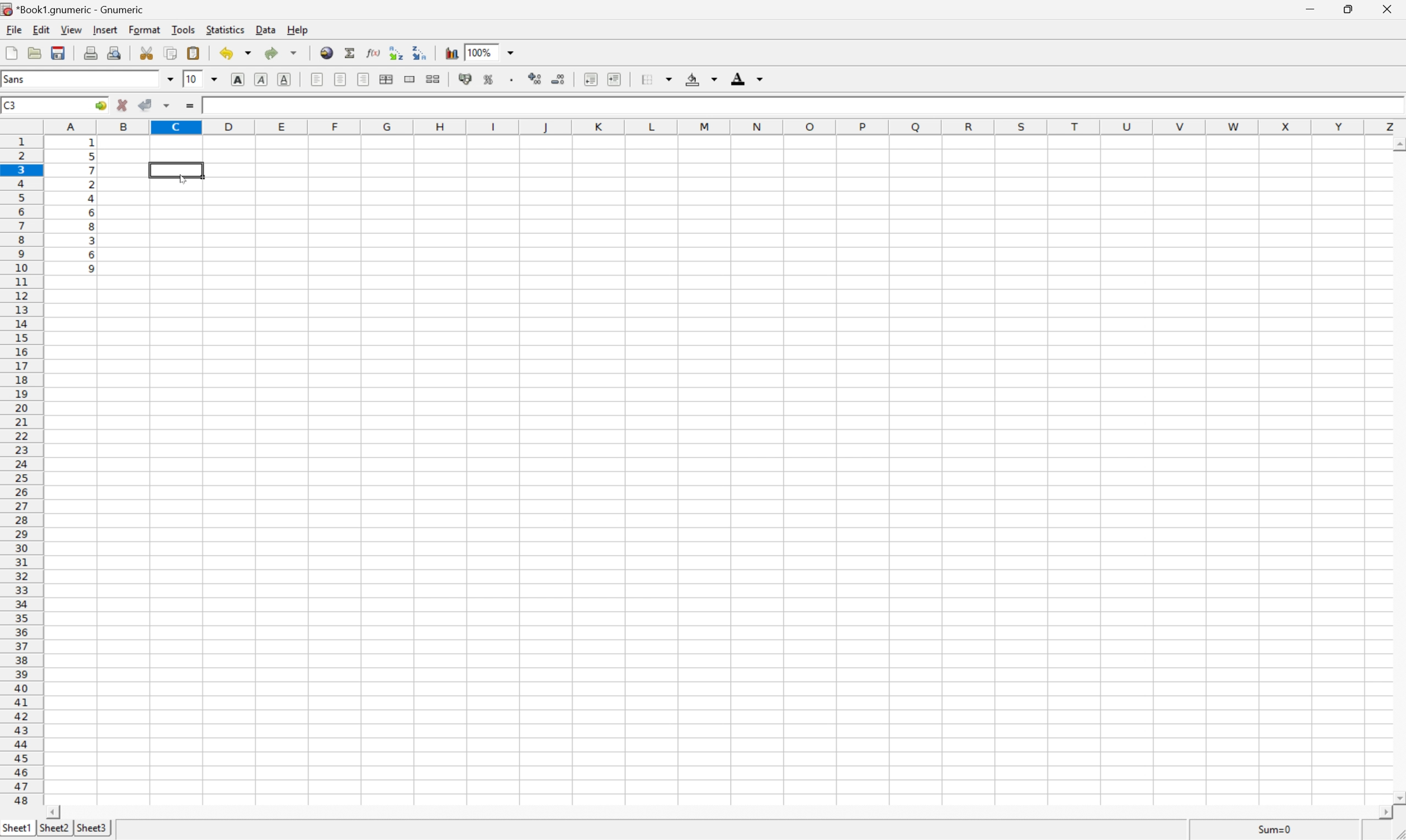 This screenshot has height=840, width=1406. I want to click on chart, so click(448, 52).